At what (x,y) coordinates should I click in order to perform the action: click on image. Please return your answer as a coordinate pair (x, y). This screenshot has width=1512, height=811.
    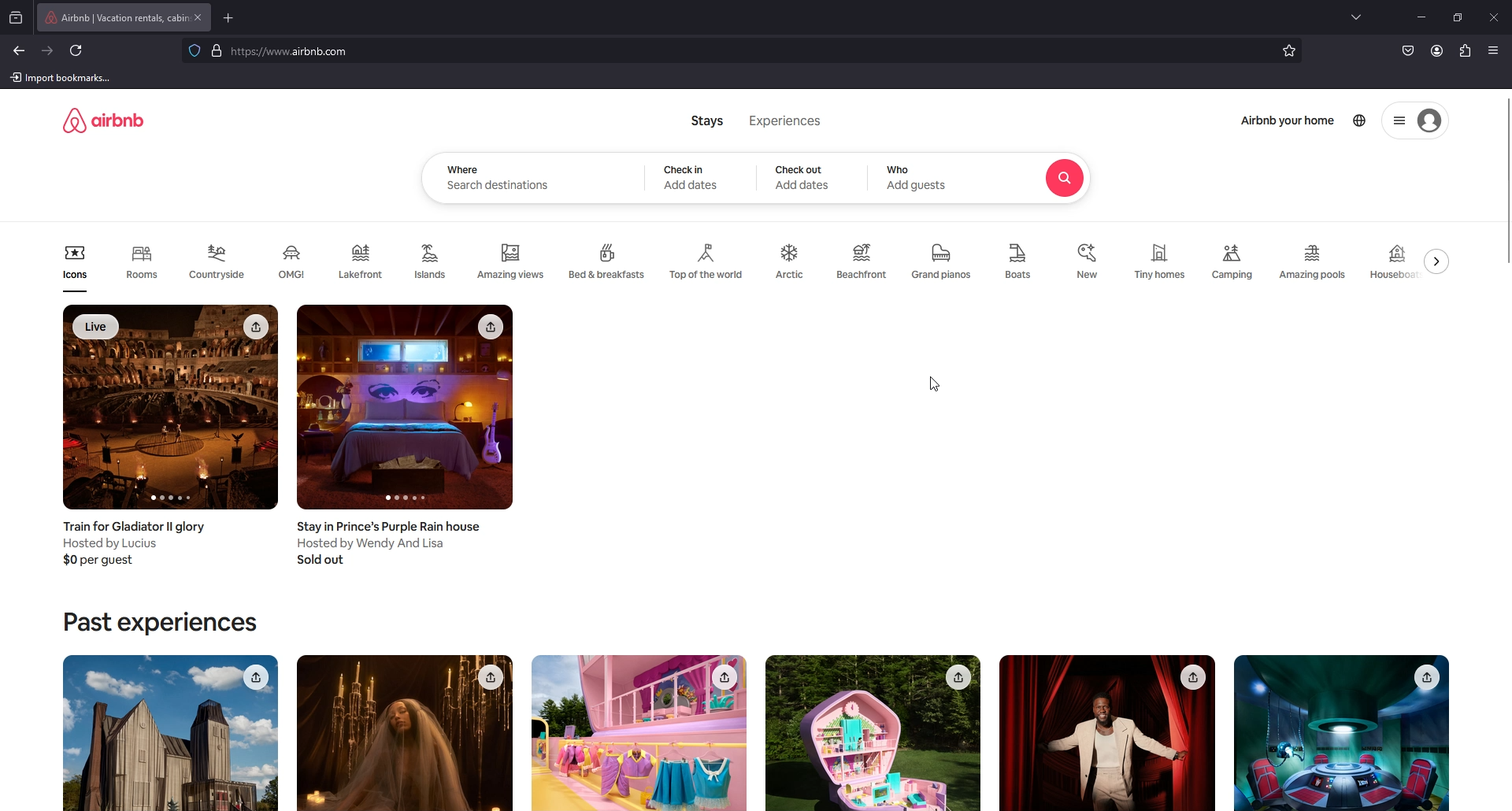
    Looking at the image, I should click on (1106, 733).